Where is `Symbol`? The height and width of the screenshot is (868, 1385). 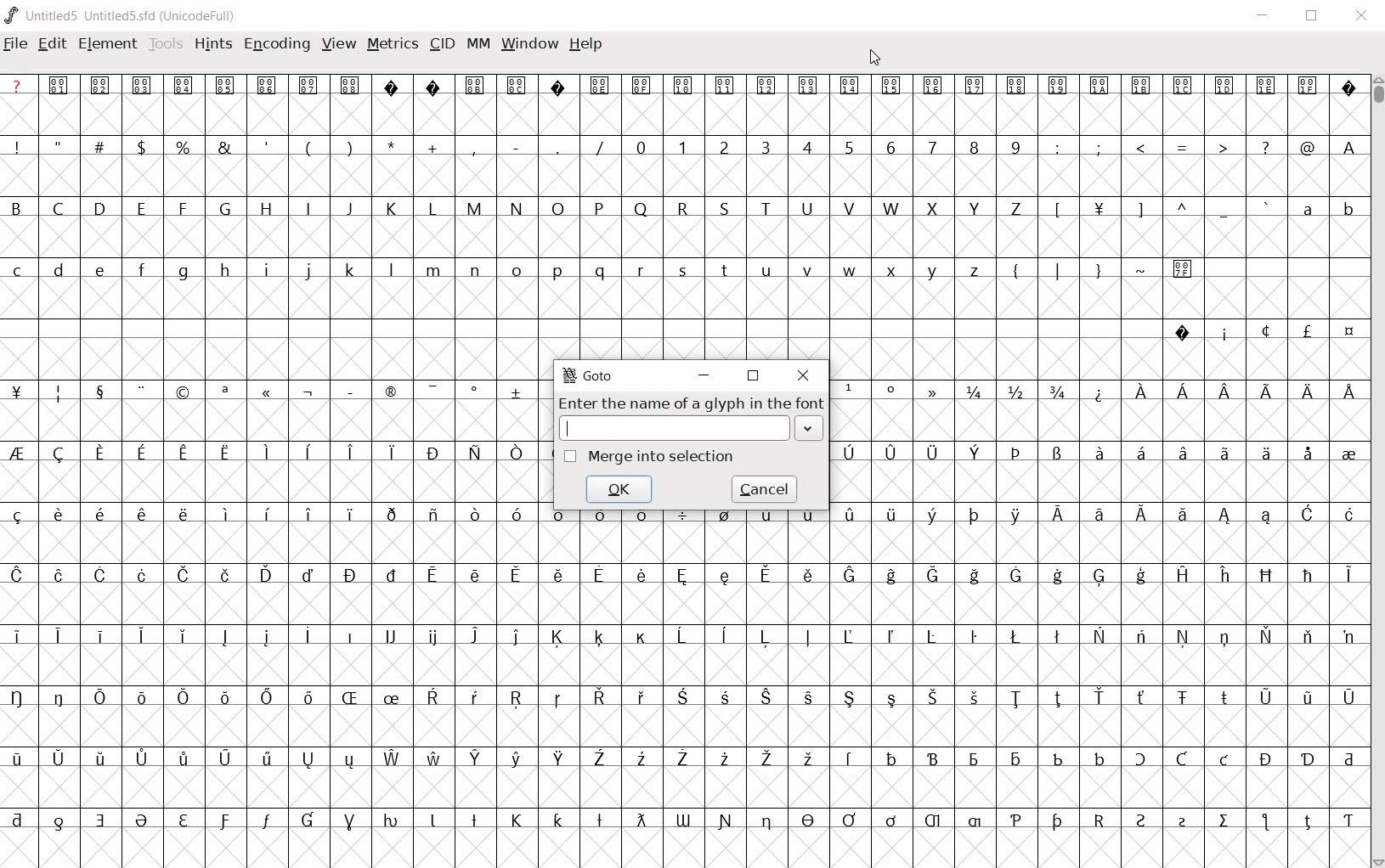
Symbol is located at coordinates (58, 634).